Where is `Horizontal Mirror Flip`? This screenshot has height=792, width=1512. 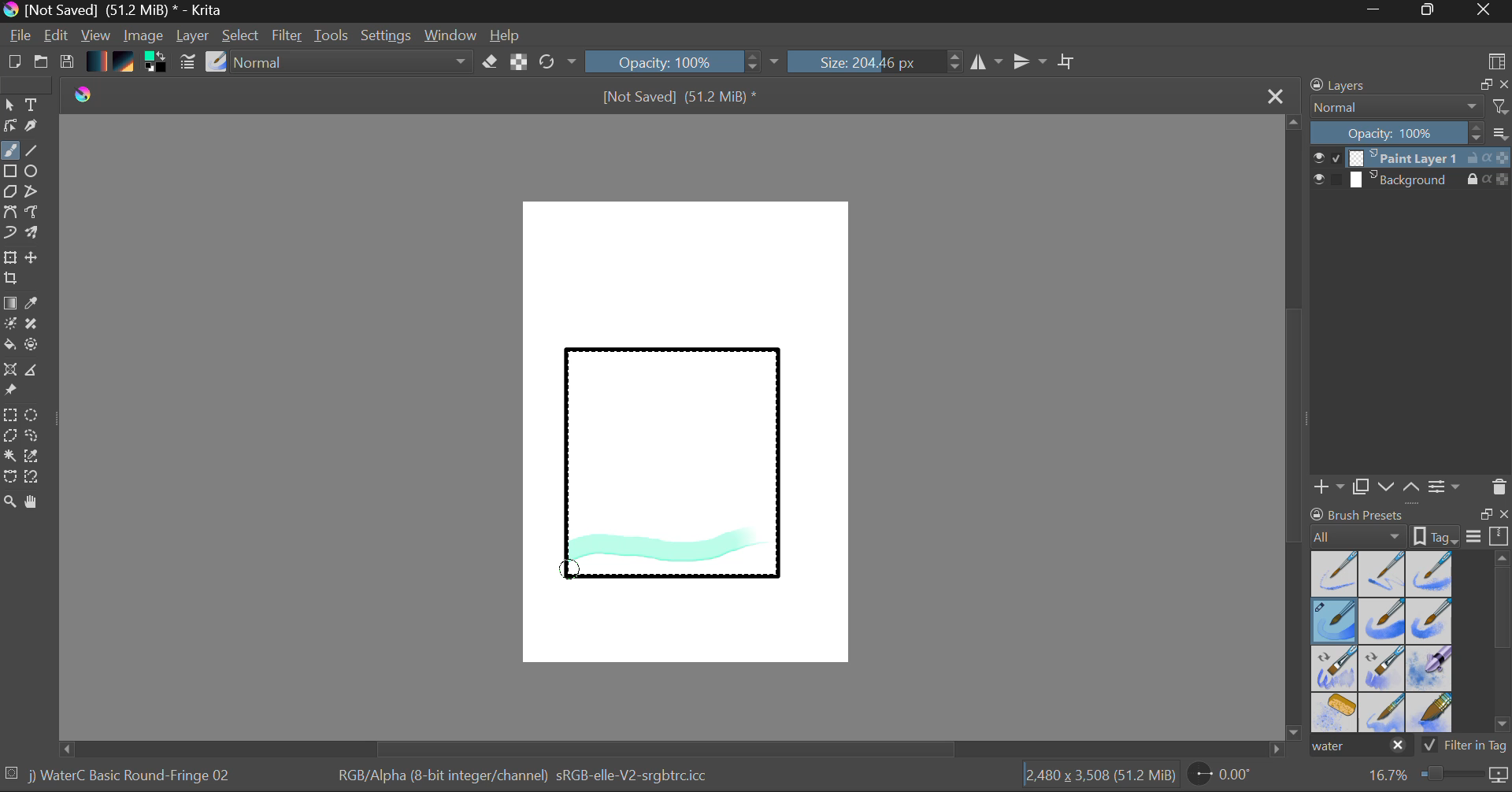 Horizontal Mirror Flip is located at coordinates (1033, 63).